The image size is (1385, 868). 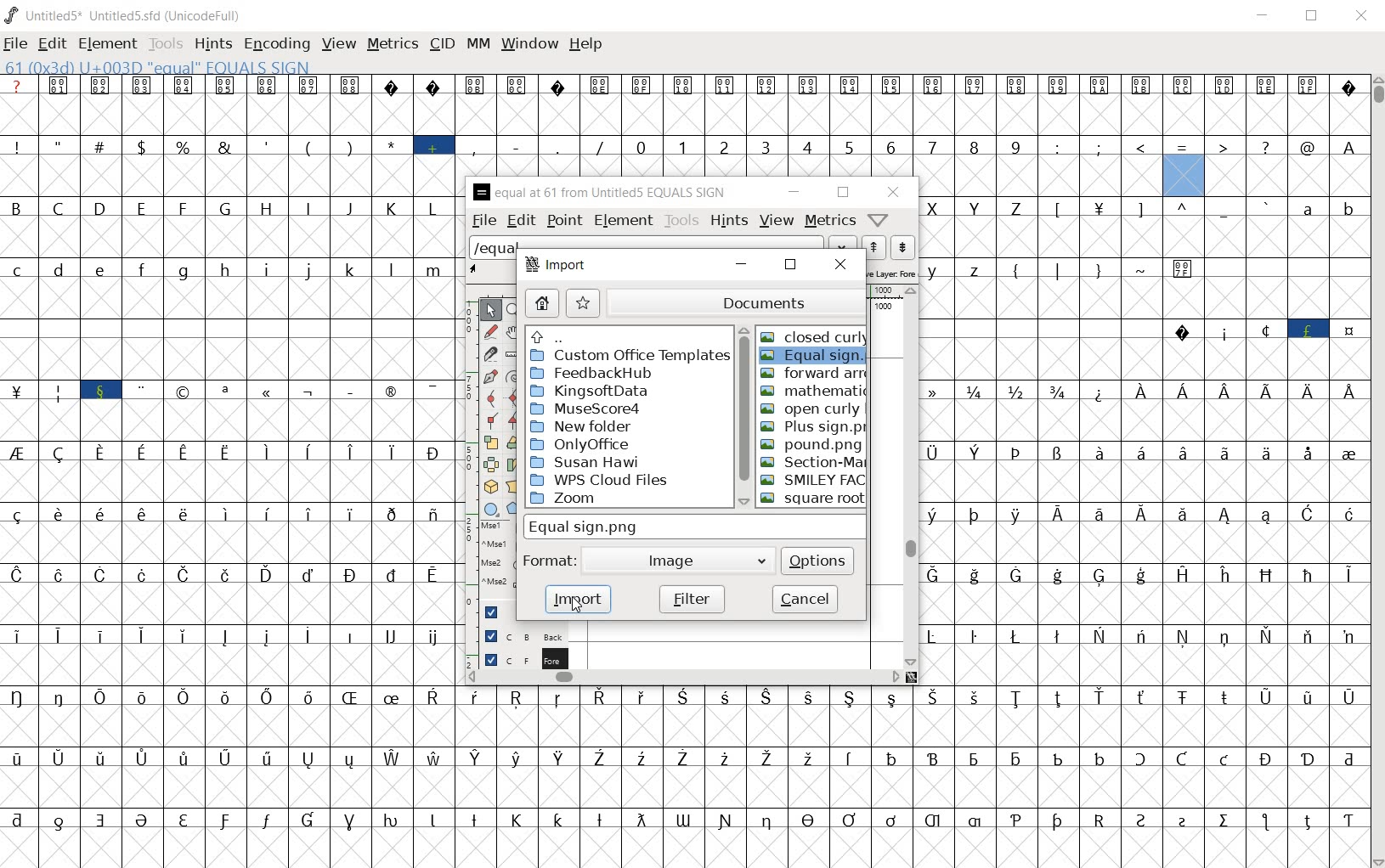 What do you see at coordinates (562, 221) in the screenshot?
I see `point` at bounding box center [562, 221].